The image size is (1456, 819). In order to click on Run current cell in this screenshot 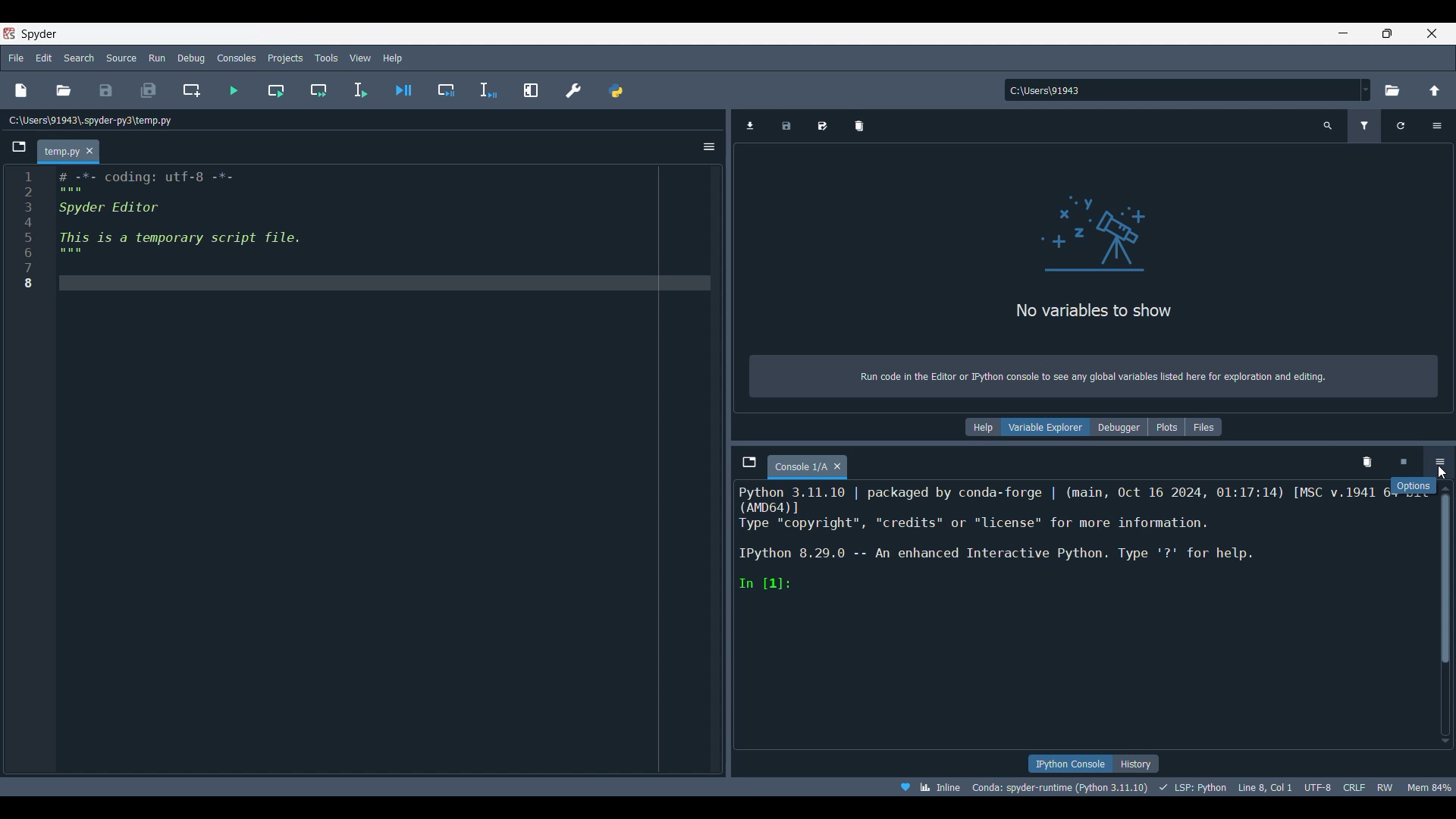, I will do `click(276, 89)`.